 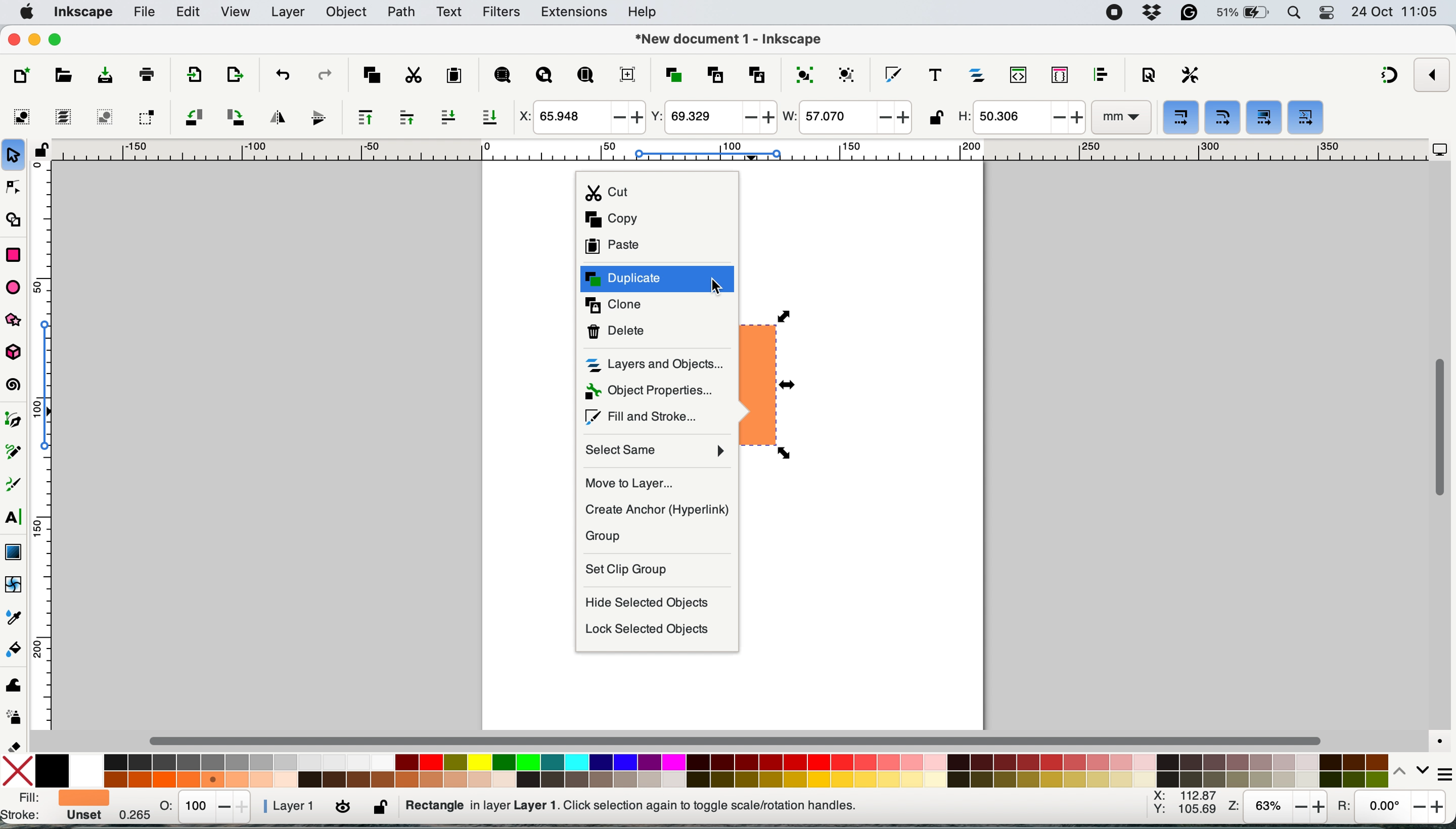 What do you see at coordinates (64, 117) in the screenshot?
I see `select all in all layers` at bounding box center [64, 117].